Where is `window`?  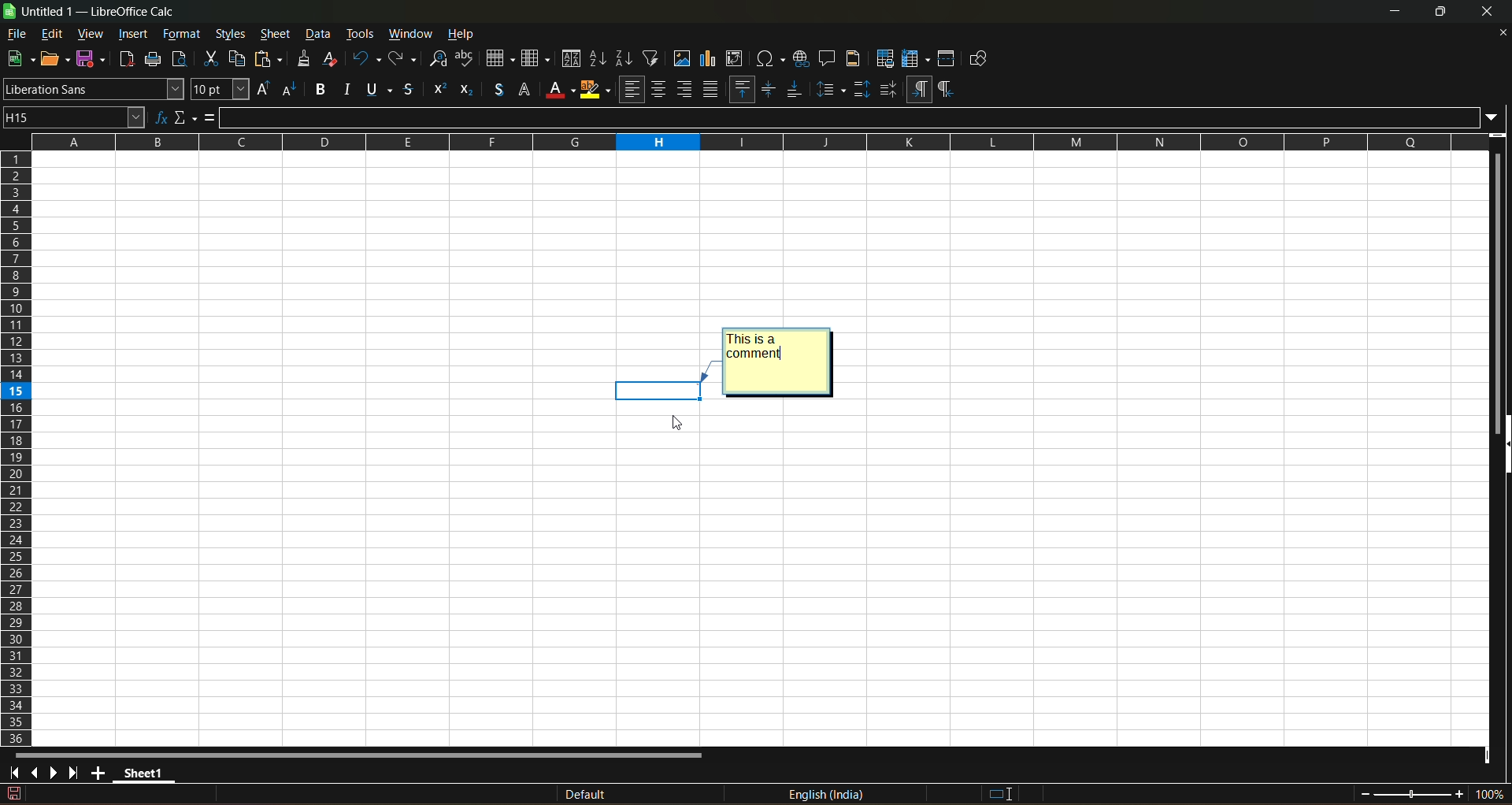 window is located at coordinates (412, 35).